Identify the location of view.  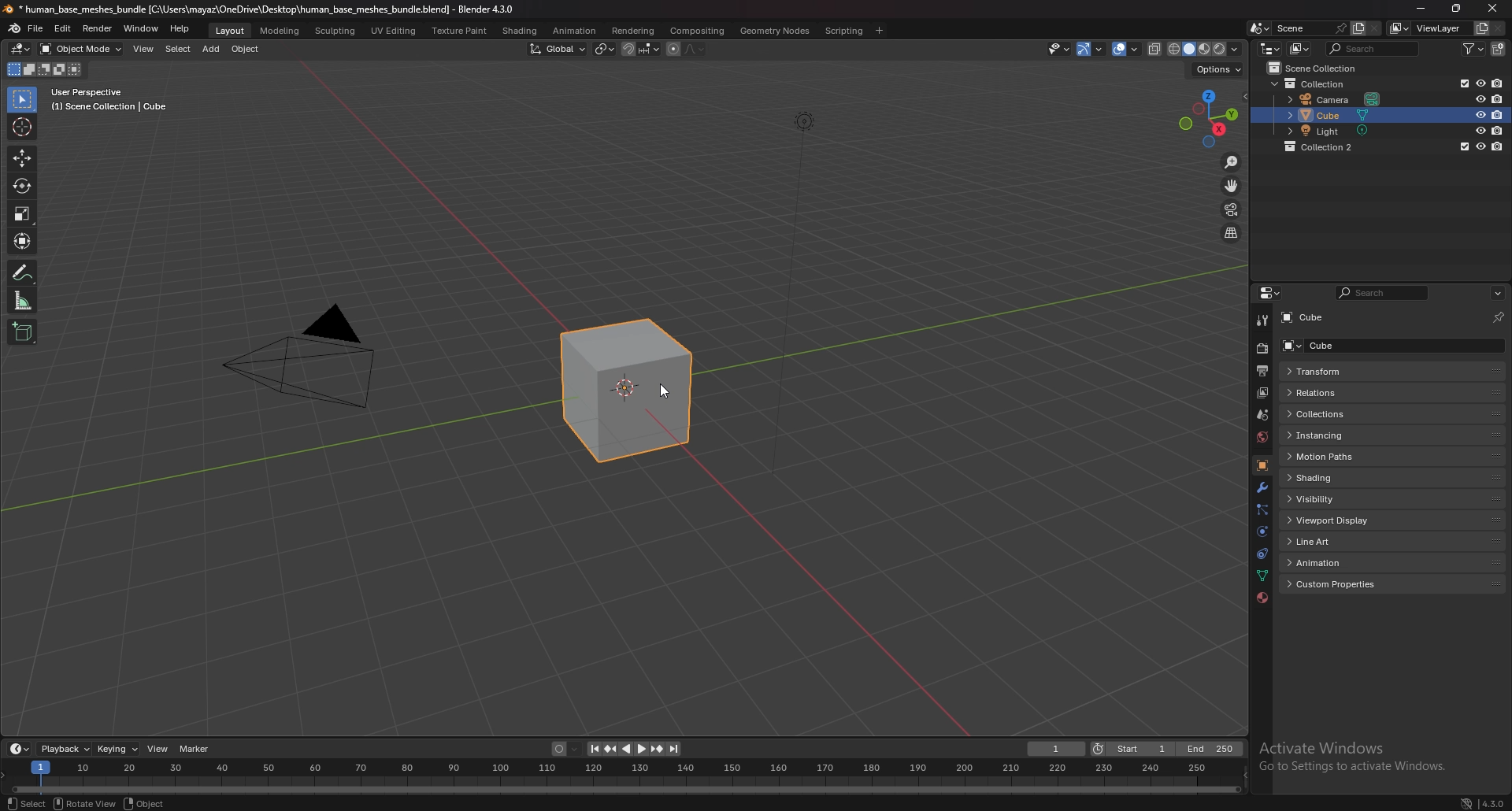
(145, 49).